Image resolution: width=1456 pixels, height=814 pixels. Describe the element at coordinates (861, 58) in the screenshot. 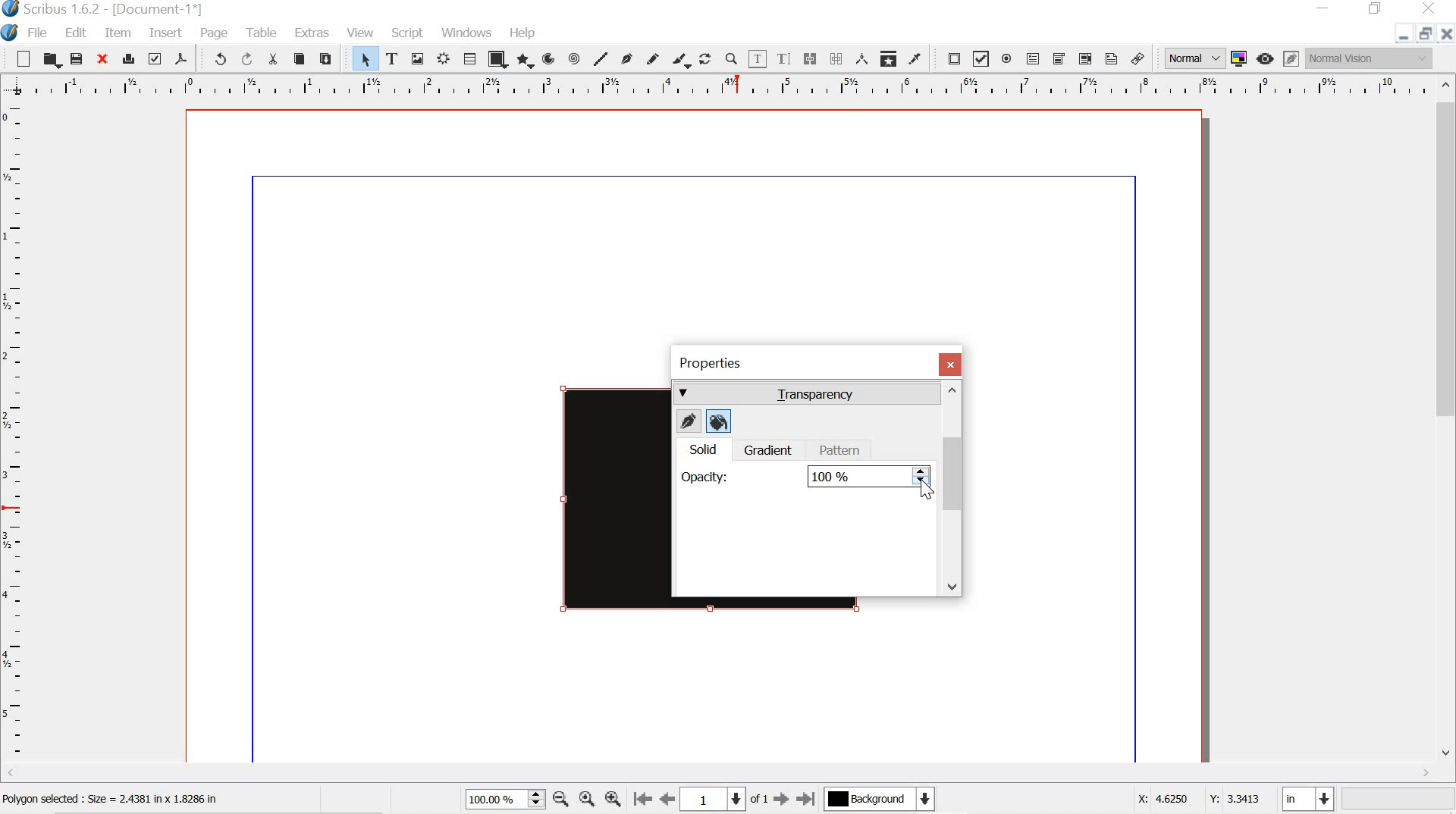

I see `measurements` at that location.